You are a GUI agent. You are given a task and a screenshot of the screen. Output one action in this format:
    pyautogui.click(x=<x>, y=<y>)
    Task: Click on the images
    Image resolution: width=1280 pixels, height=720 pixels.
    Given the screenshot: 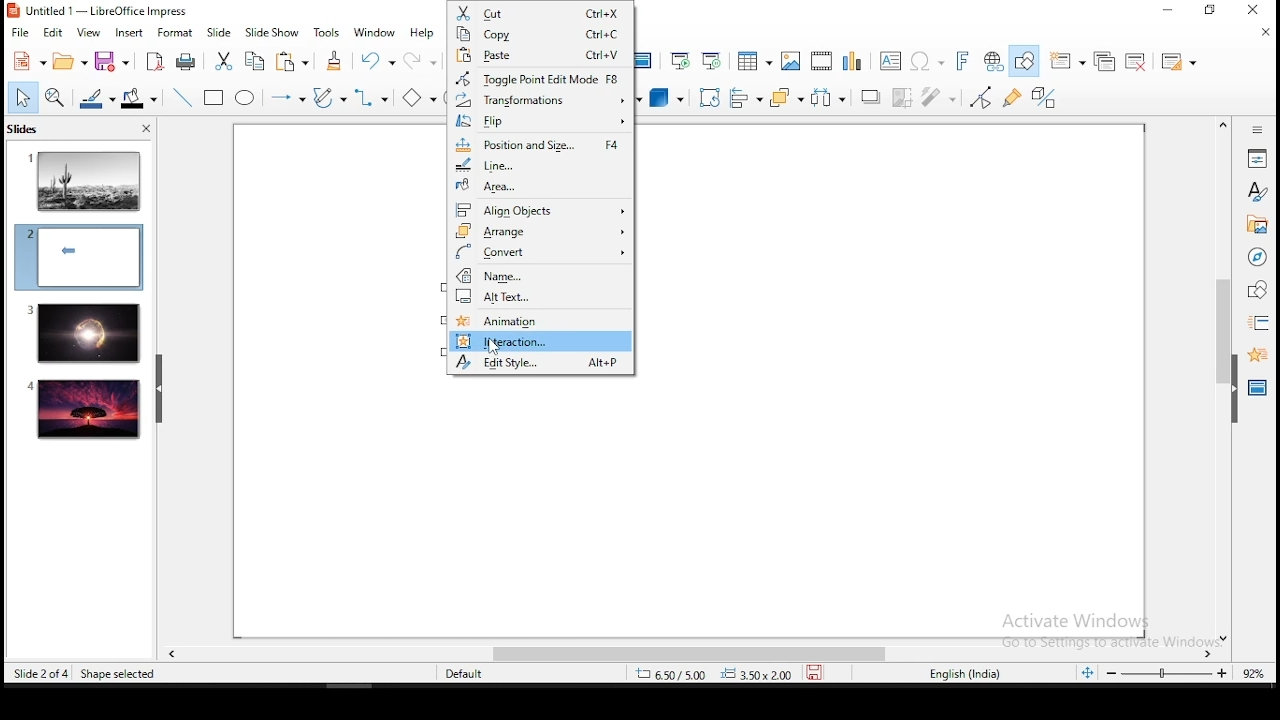 What is the action you would take?
    pyautogui.click(x=789, y=61)
    